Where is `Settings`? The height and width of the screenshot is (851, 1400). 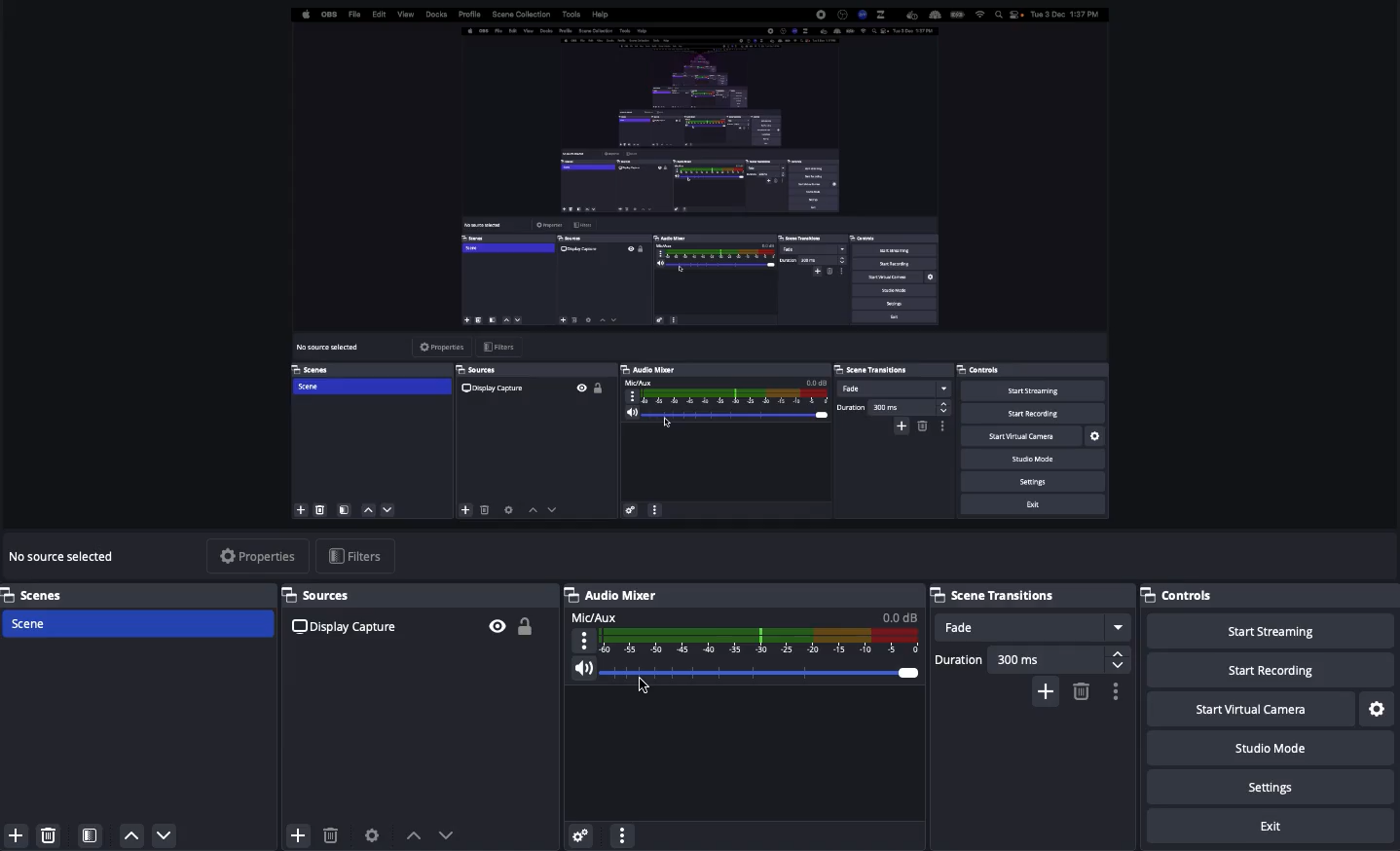 Settings is located at coordinates (1378, 708).